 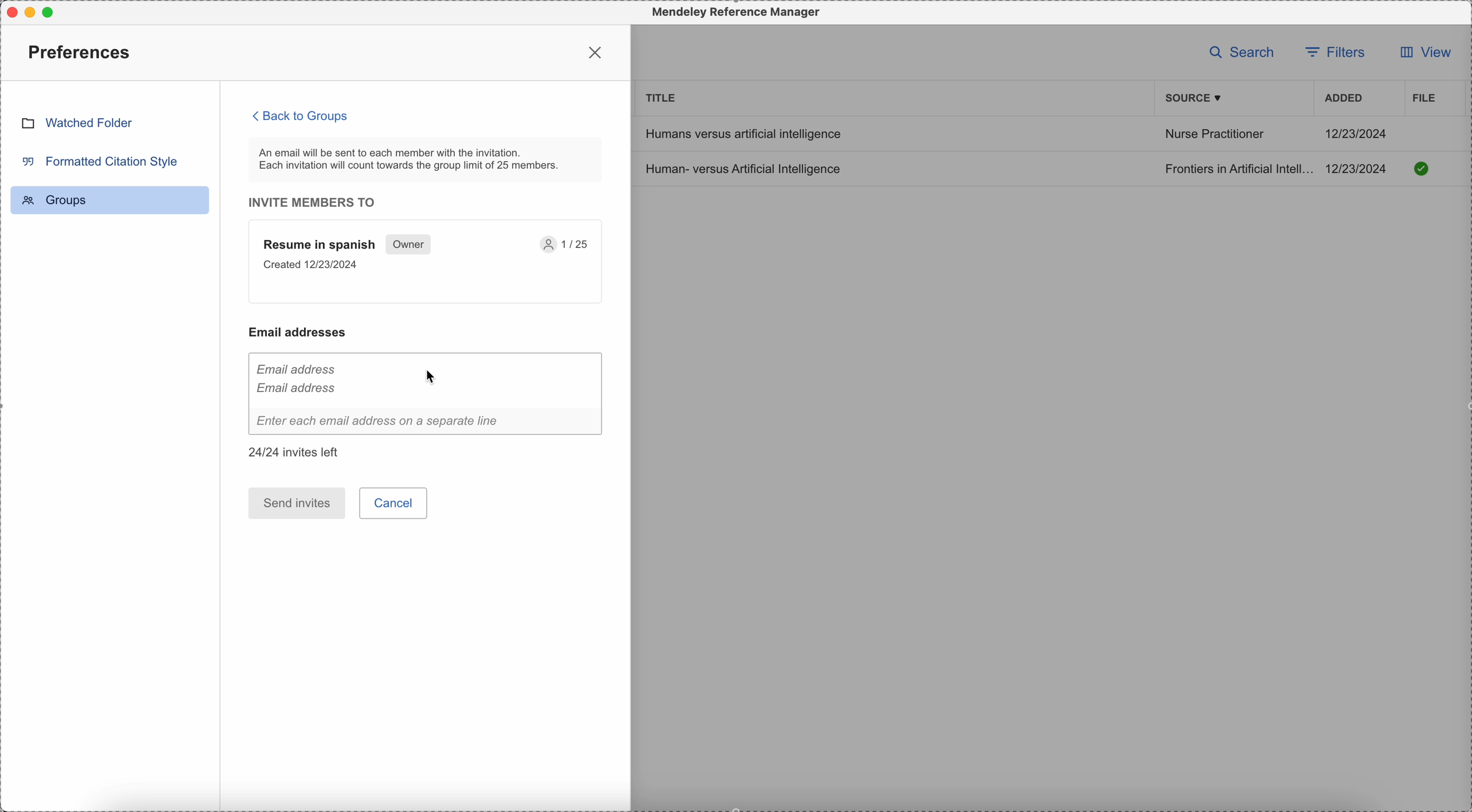 I want to click on email address, so click(x=297, y=375).